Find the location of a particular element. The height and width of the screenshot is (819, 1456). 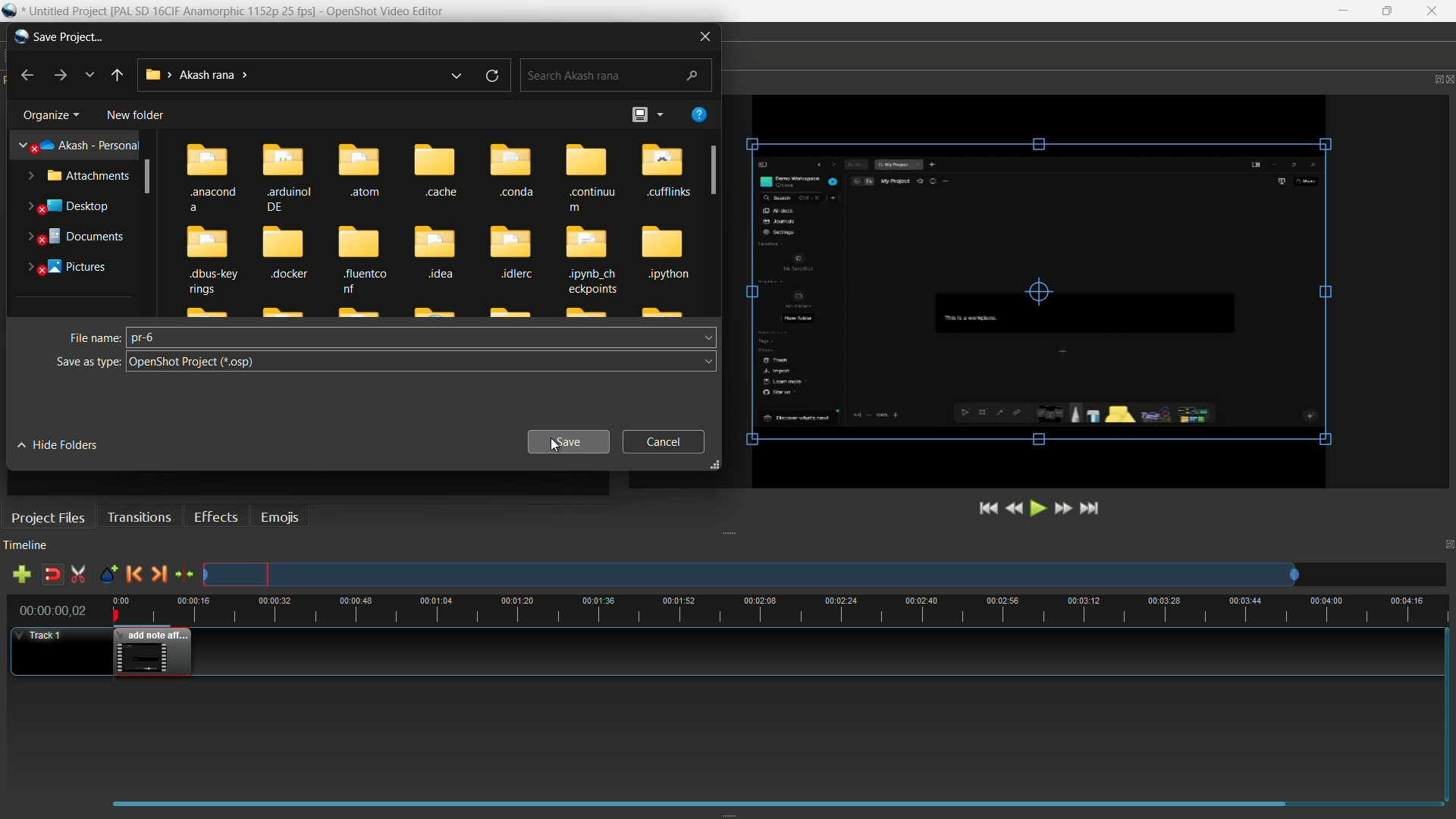

more options is located at coordinates (663, 117).